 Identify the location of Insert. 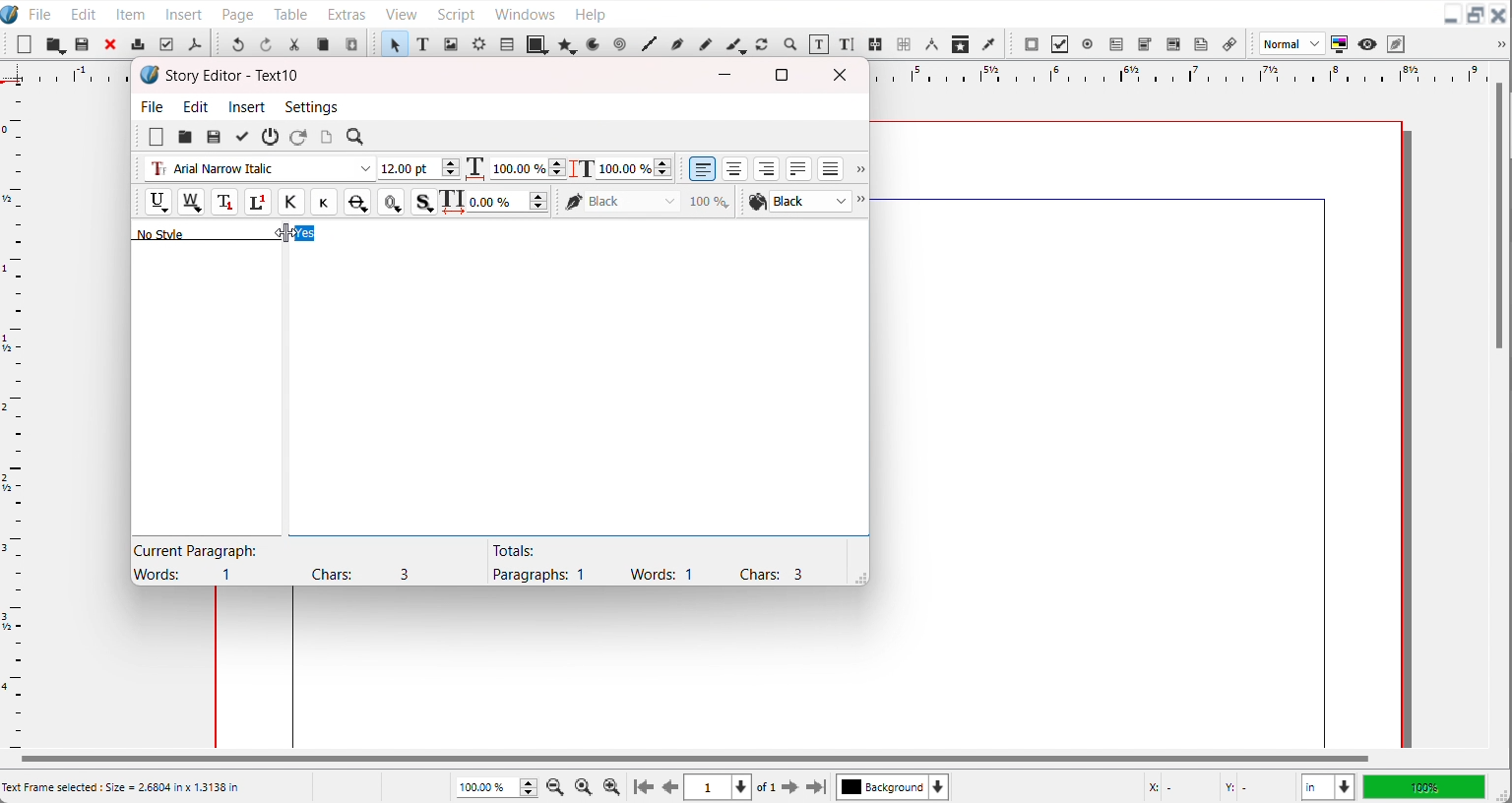
(248, 106).